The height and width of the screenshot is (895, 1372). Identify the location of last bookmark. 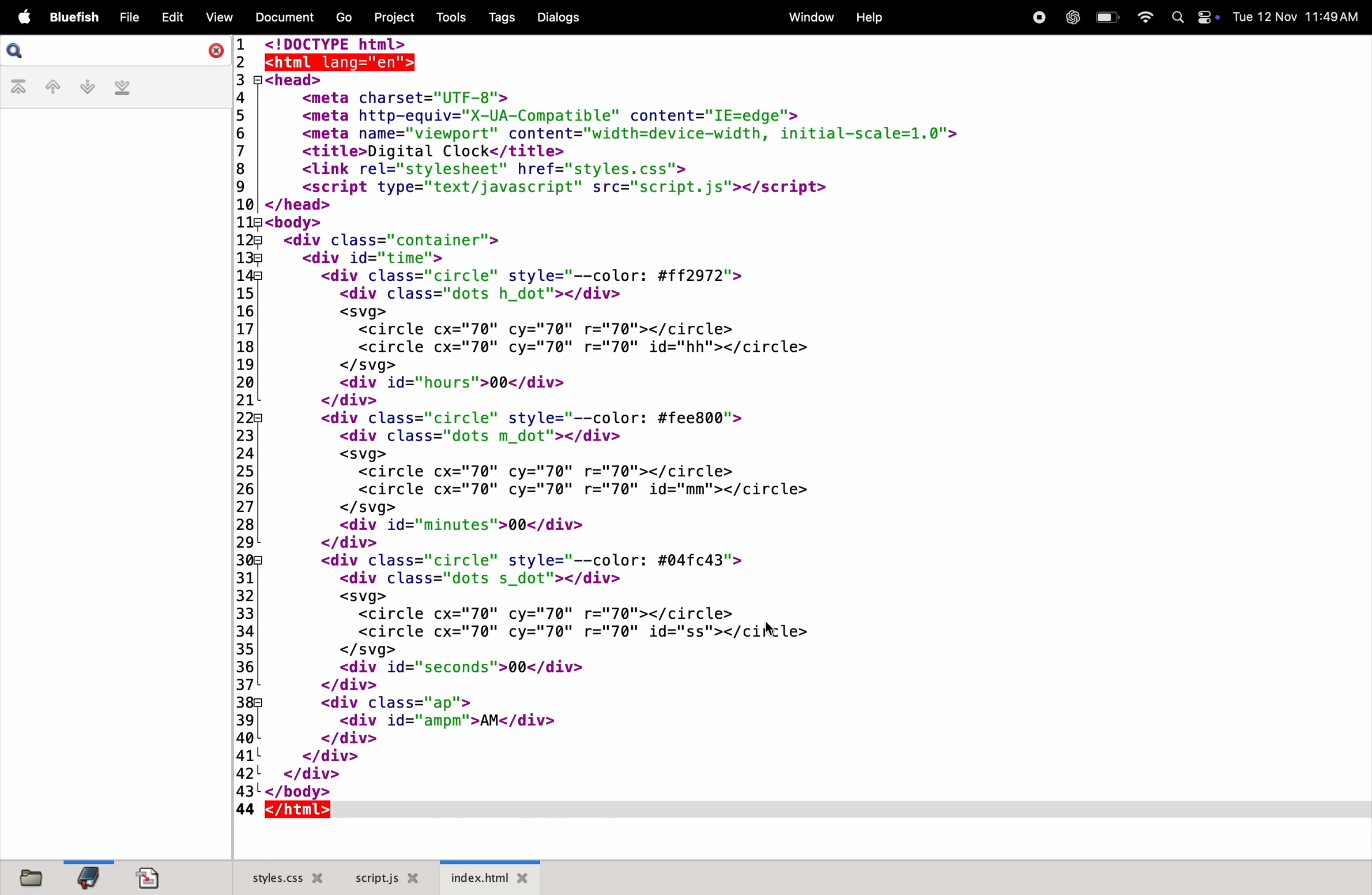
(122, 88).